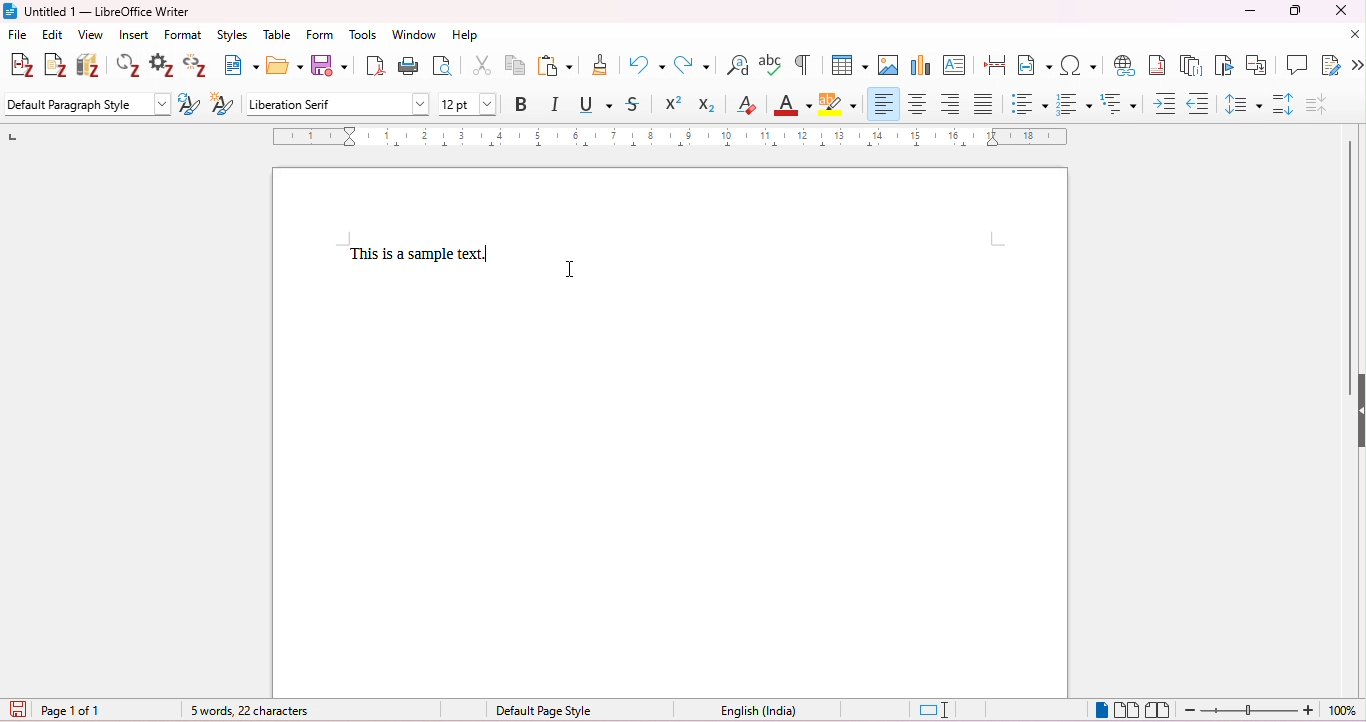 Image resolution: width=1366 pixels, height=722 pixels. What do you see at coordinates (81, 711) in the screenshot?
I see `page 1 of 1` at bounding box center [81, 711].